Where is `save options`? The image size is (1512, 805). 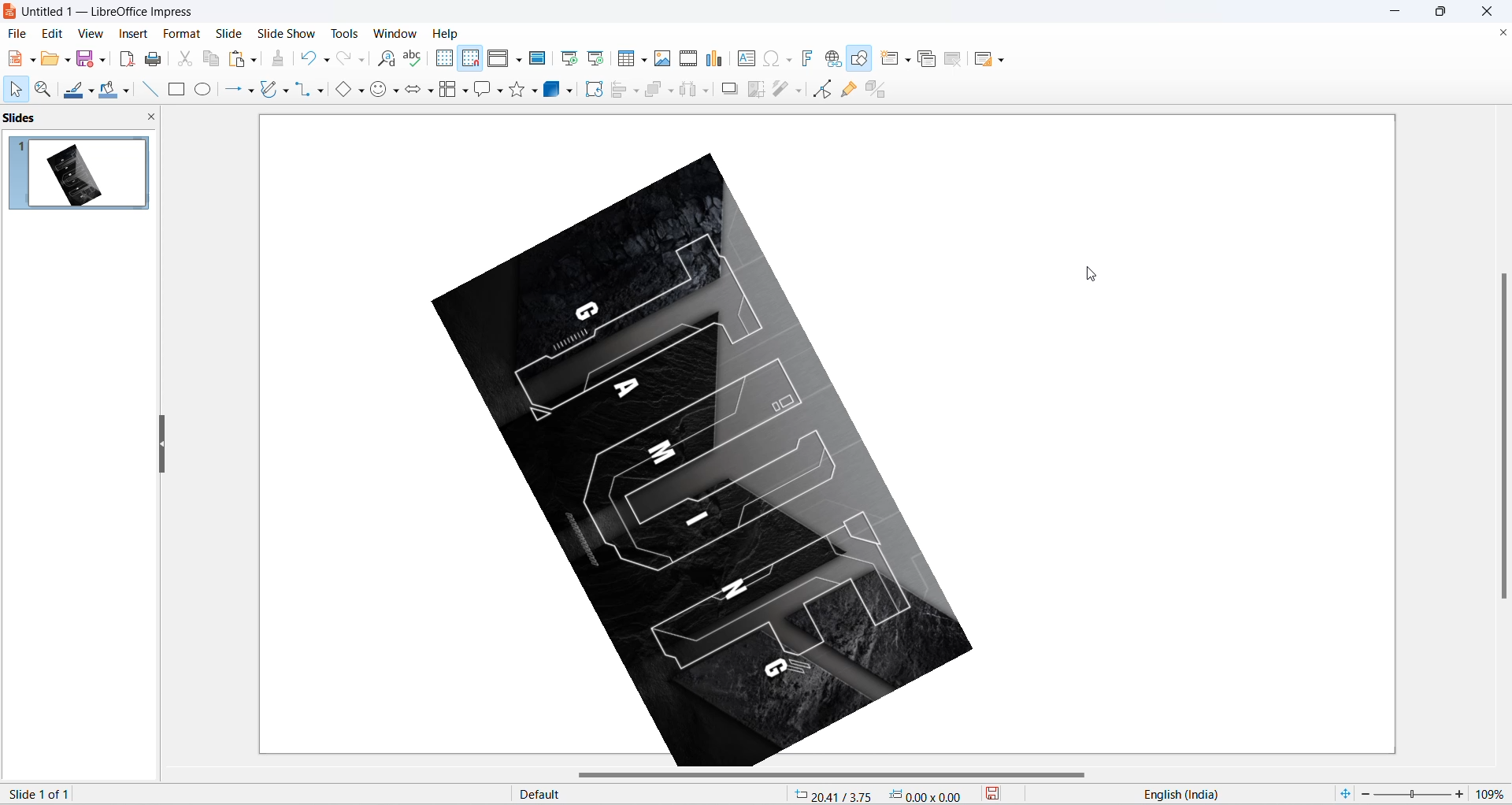 save options is located at coordinates (103, 58).